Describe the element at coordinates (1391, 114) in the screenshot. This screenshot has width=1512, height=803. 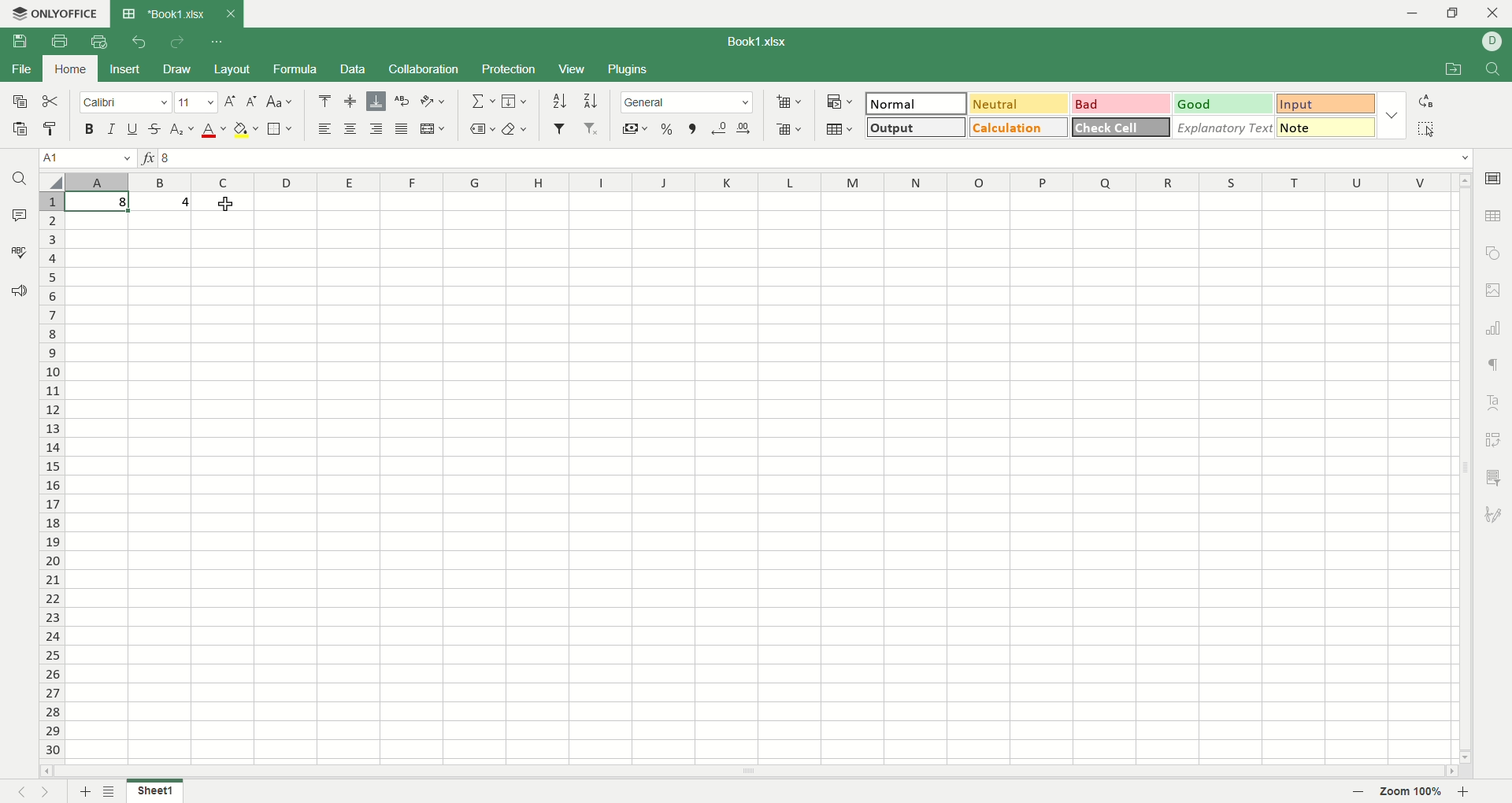
I see `style options` at that location.